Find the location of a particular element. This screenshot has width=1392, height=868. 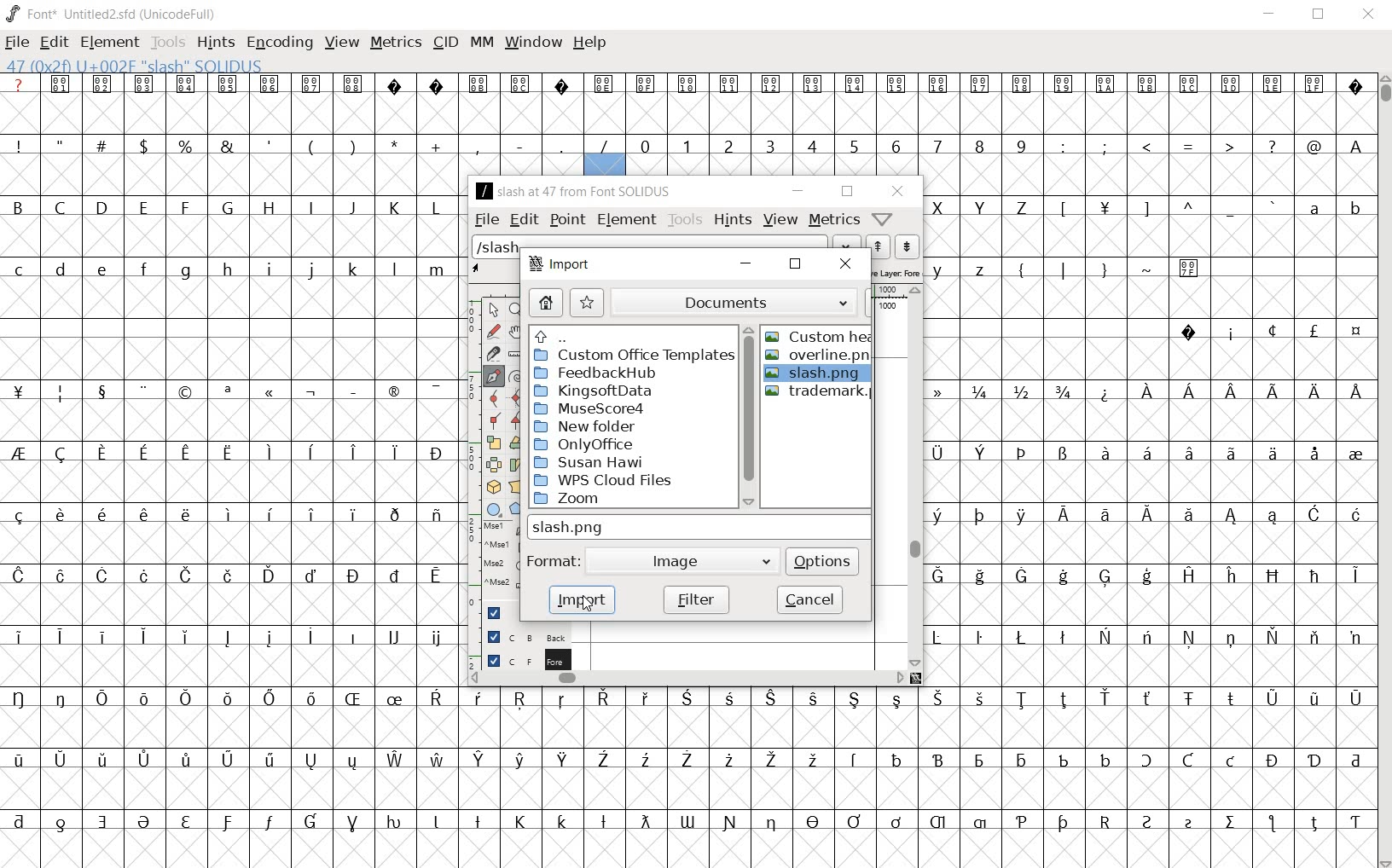

filter is located at coordinates (697, 599).